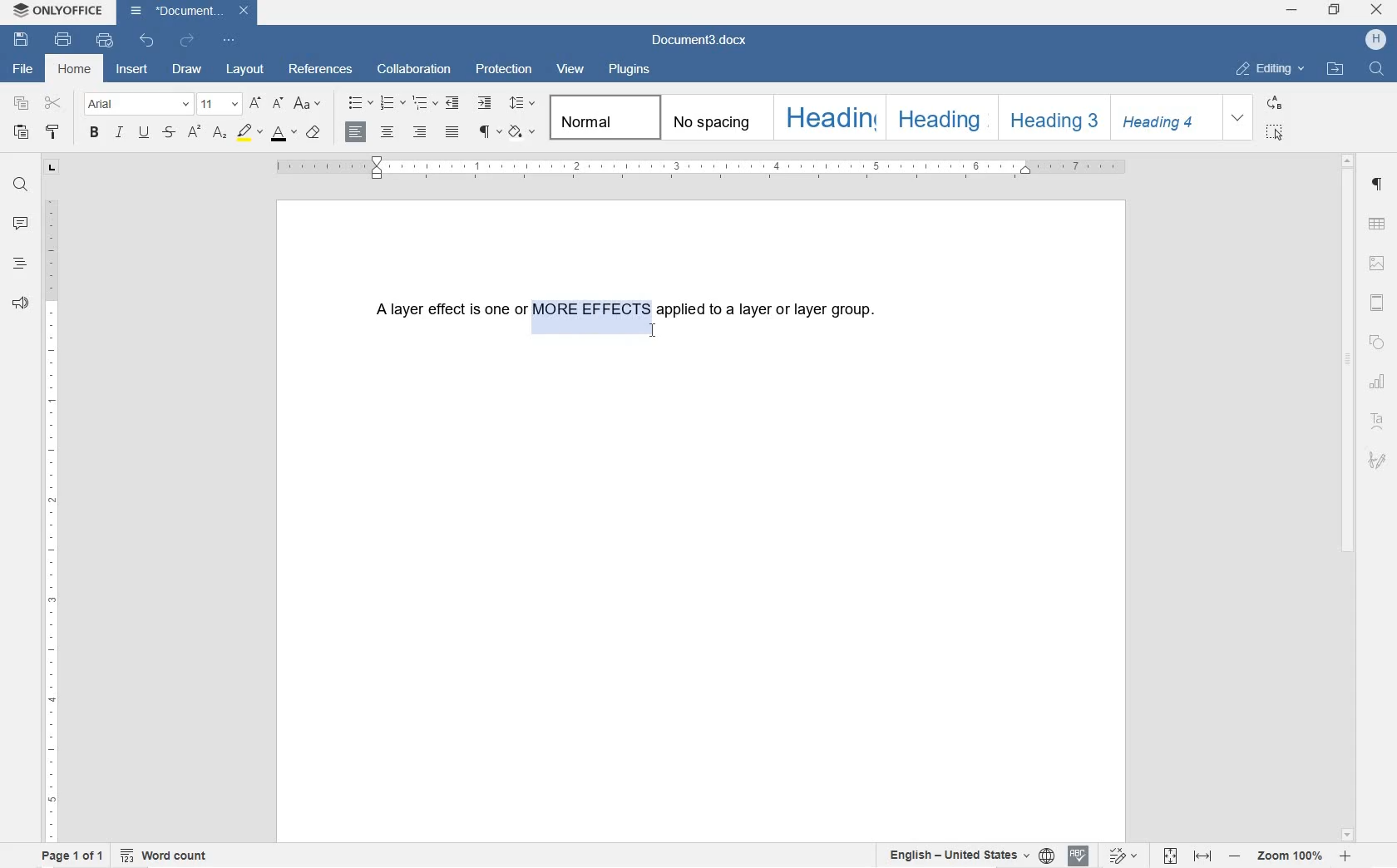 The image size is (1397, 868). I want to click on QUICK PRINT, so click(104, 42).